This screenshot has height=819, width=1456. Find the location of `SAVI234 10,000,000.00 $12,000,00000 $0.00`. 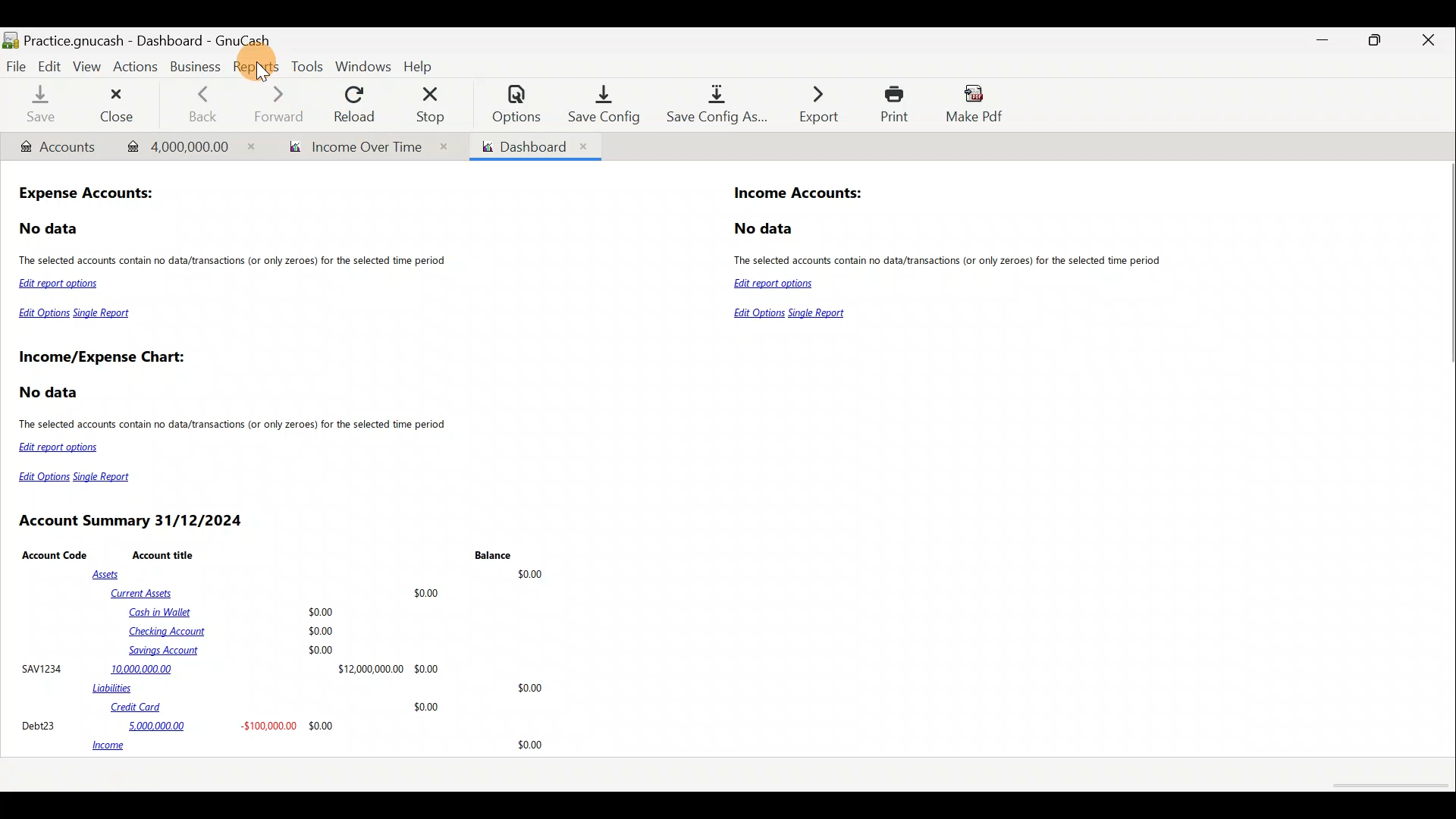

SAVI234 10,000,000.00 $12,000,00000 $0.00 is located at coordinates (230, 668).